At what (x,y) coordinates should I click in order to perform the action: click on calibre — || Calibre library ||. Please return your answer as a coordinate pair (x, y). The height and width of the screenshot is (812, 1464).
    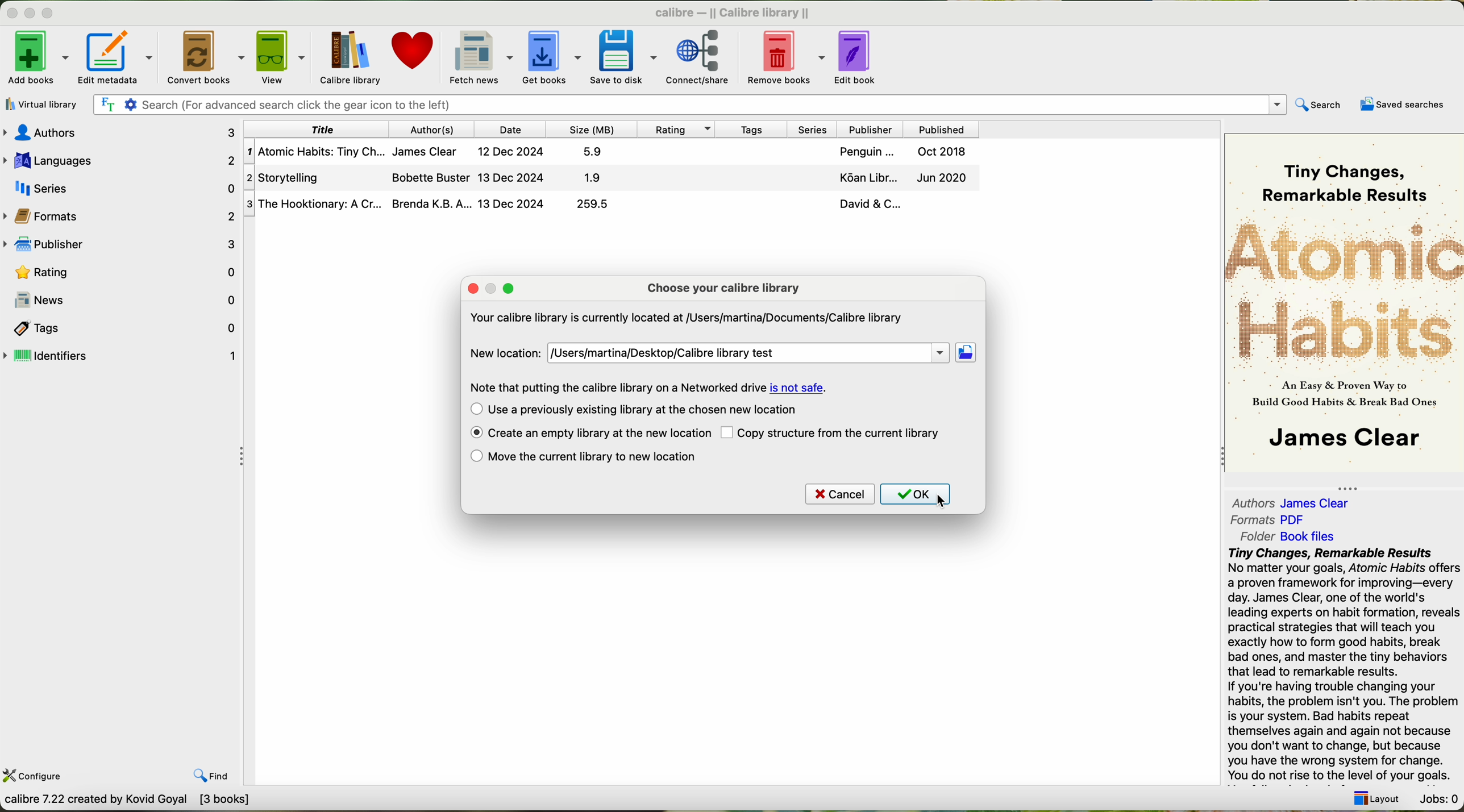
    Looking at the image, I should click on (735, 12).